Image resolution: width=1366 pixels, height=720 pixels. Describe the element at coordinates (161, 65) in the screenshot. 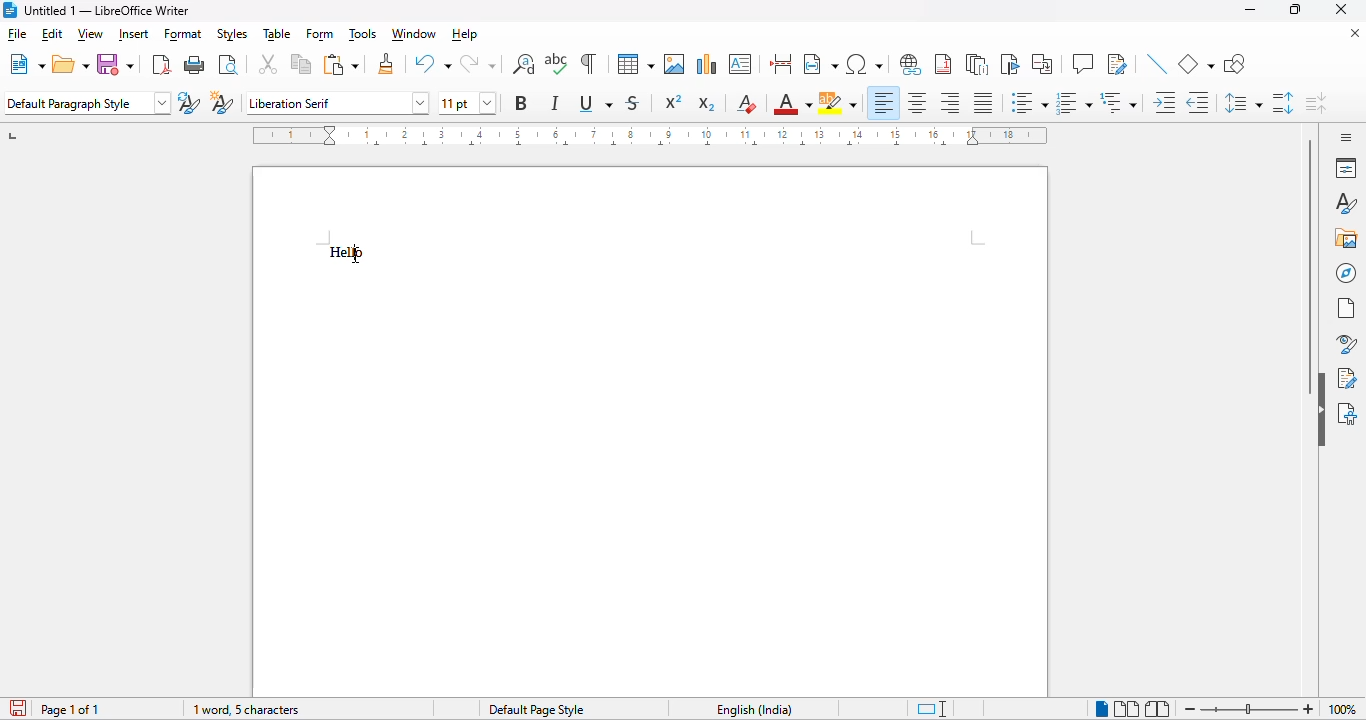

I see `export directly as PDF` at that location.